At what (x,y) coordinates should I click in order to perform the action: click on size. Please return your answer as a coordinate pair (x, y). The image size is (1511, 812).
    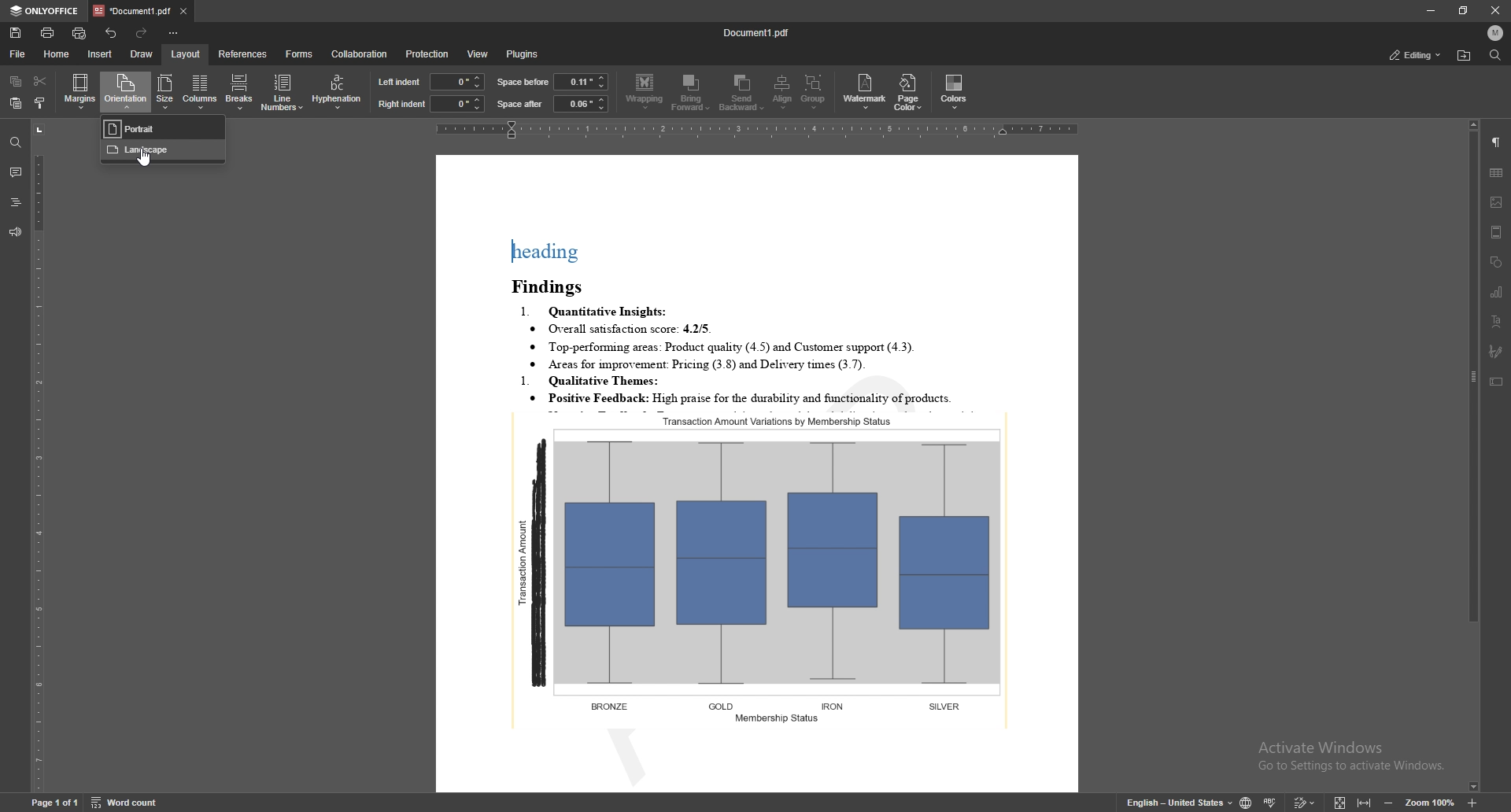
    Looking at the image, I should click on (164, 92).